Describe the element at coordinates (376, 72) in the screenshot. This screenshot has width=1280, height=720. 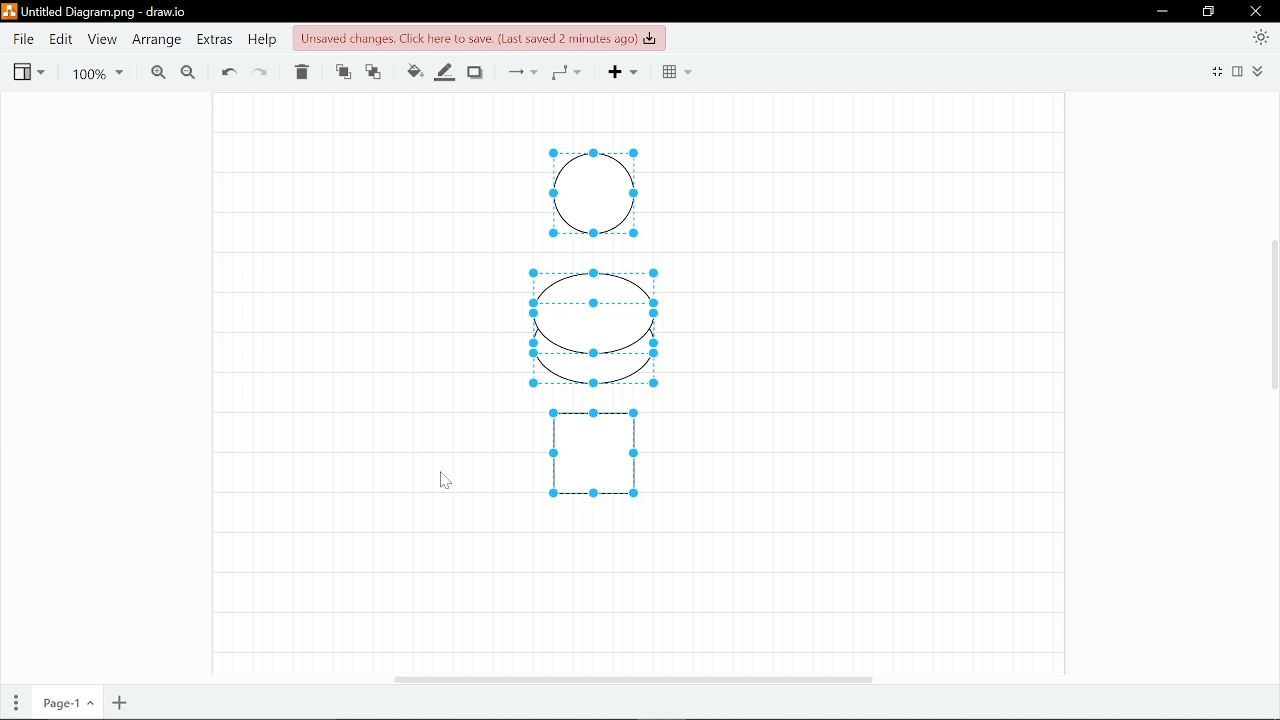
I see `Move backwards` at that location.